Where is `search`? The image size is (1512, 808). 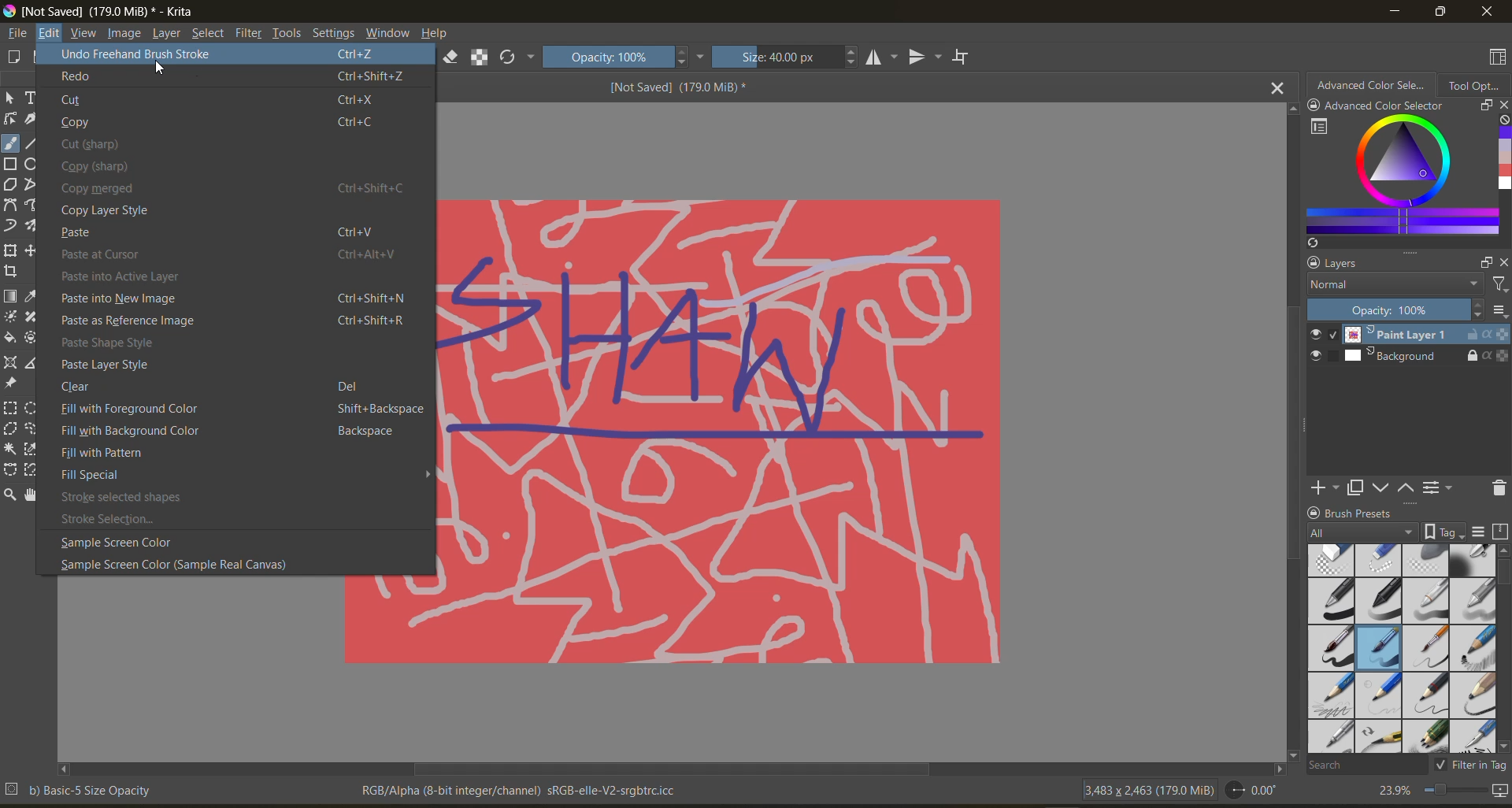
search is located at coordinates (1363, 765).